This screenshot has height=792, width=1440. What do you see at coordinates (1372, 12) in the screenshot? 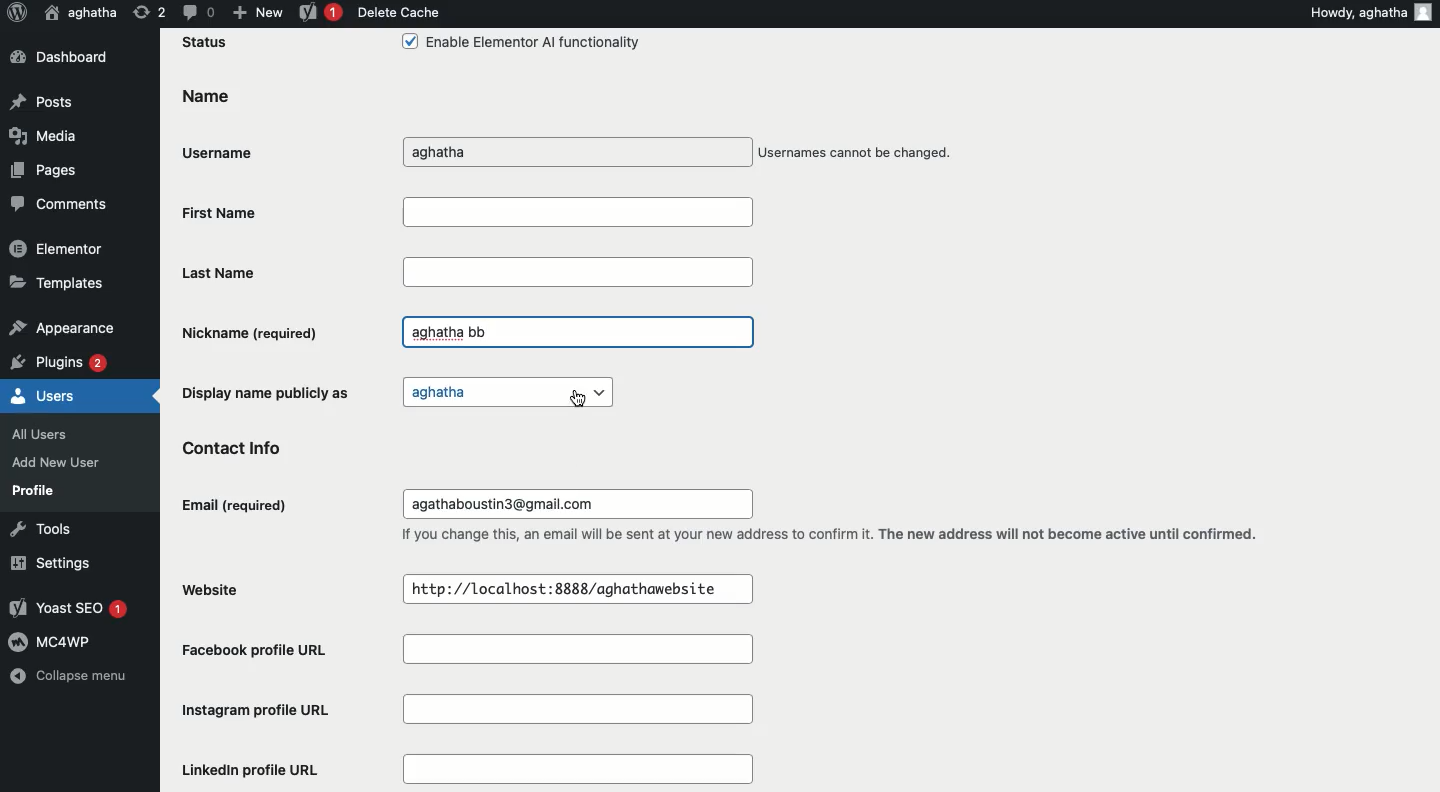
I see `Howdy, aghatha` at bounding box center [1372, 12].